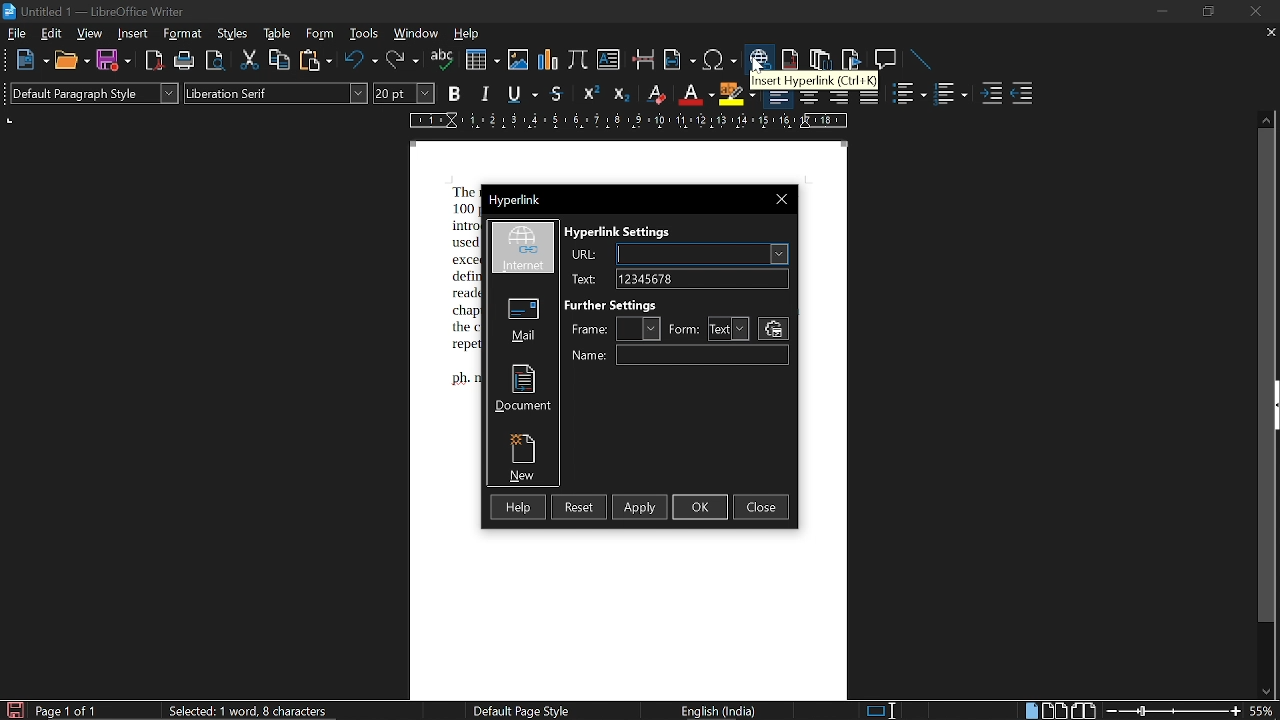  Describe the element at coordinates (790, 60) in the screenshot. I see `insert footnote` at that location.